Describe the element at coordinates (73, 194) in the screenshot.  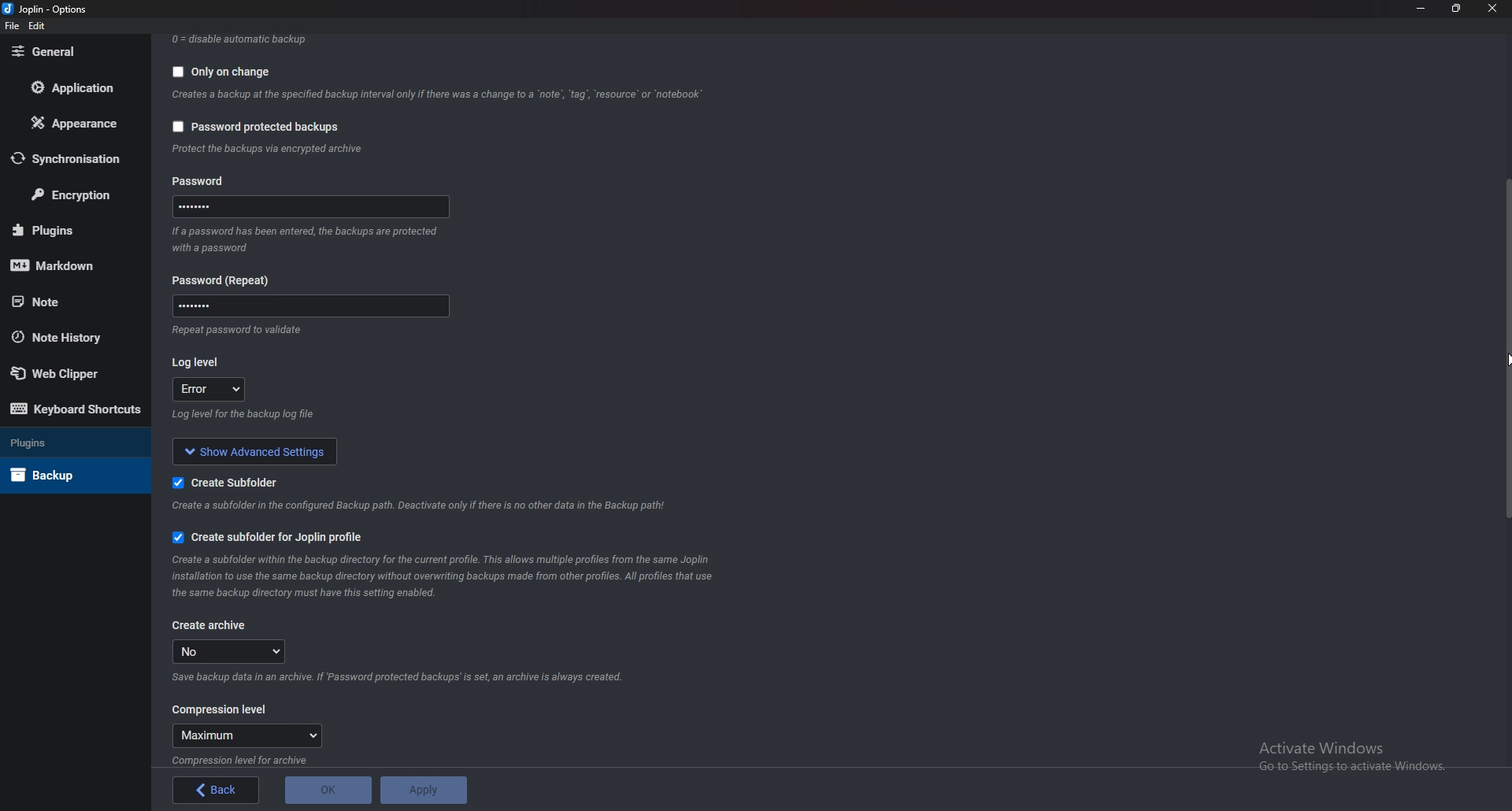
I see `Encryption` at that location.